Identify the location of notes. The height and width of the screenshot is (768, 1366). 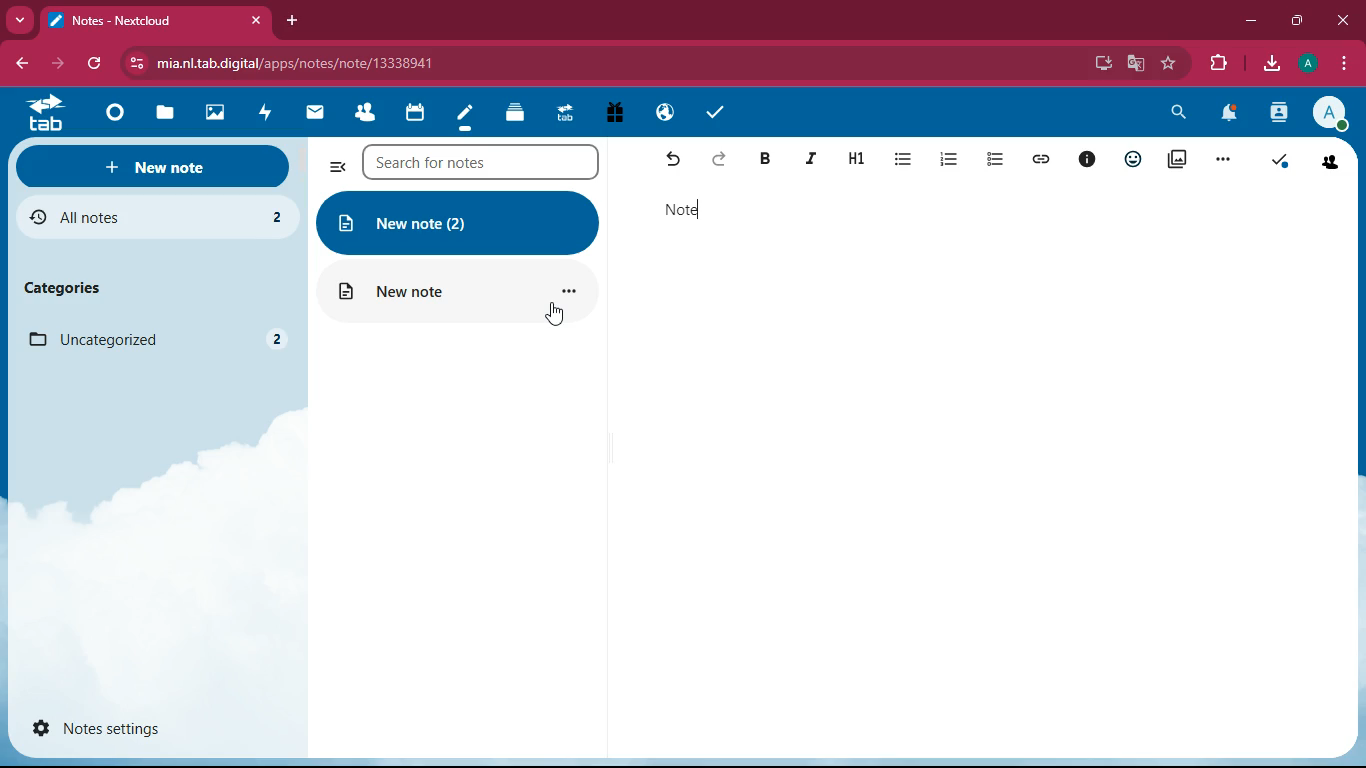
(466, 114).